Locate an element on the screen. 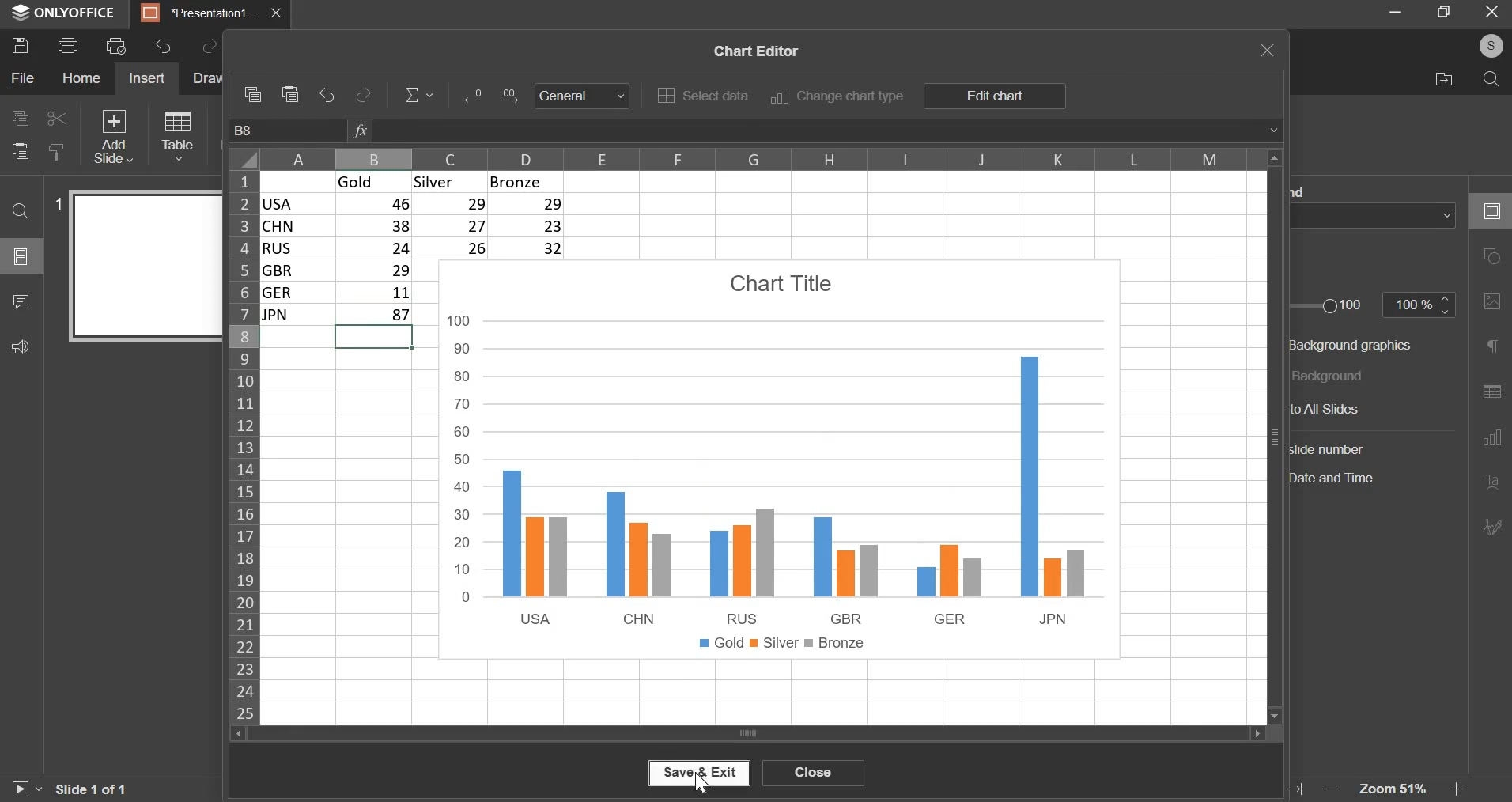 The width and height of the screenshot is (1512, 802). presentation tab is located at coordinates (199, 13).